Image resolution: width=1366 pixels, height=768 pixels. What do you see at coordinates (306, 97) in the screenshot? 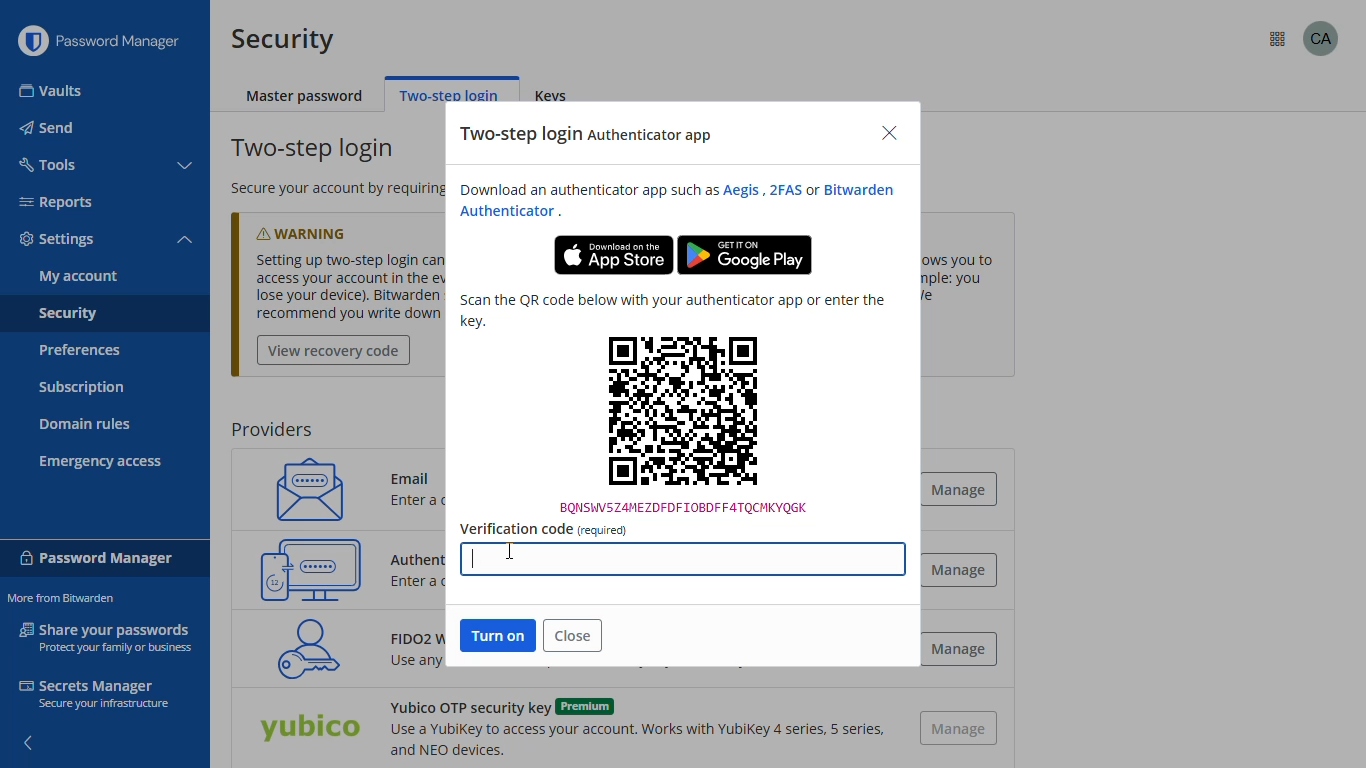
I see `master password` at bounding box center [306, 97].